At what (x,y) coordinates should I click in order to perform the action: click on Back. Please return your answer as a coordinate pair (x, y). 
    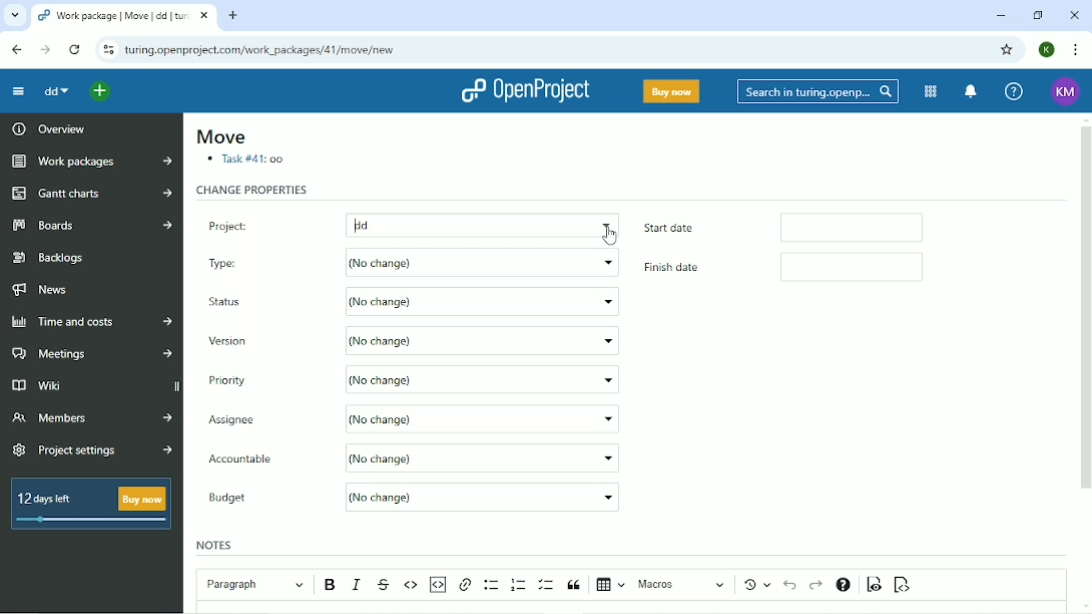
    Looking at the image, I should click on (16, 49).